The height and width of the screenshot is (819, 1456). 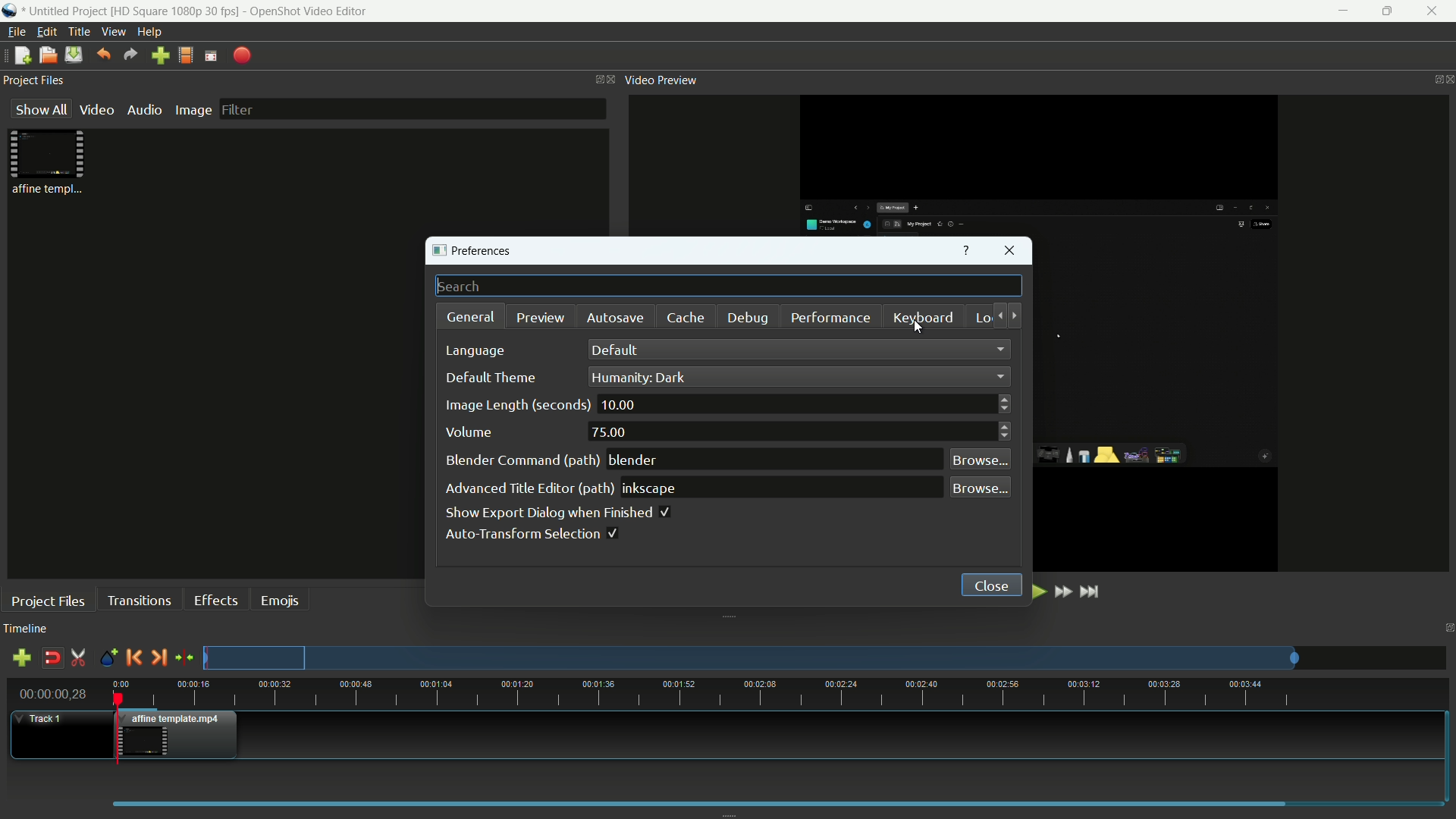 I want to click on edit menu, so click(x=47, y=32).